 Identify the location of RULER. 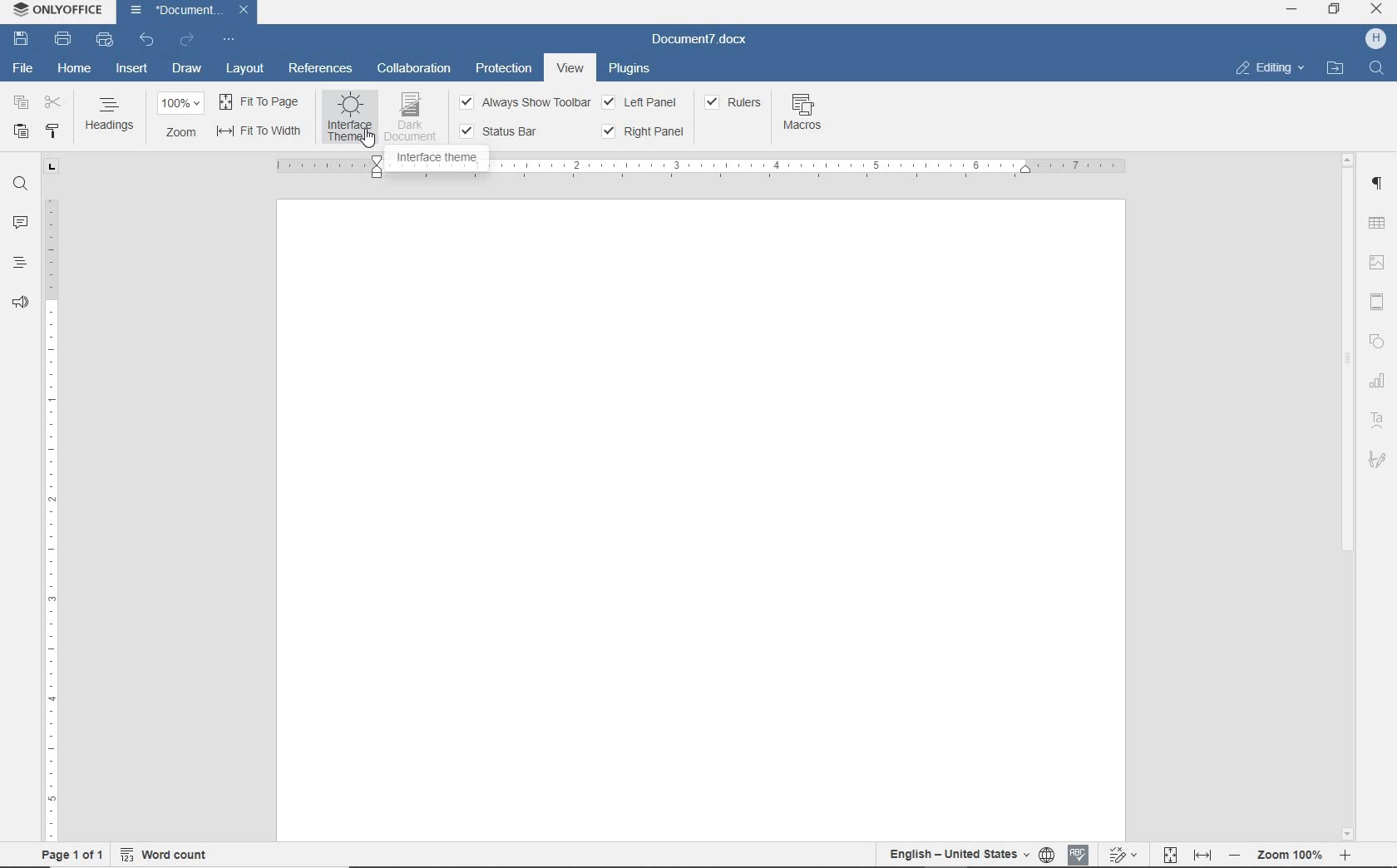
(809, 164).